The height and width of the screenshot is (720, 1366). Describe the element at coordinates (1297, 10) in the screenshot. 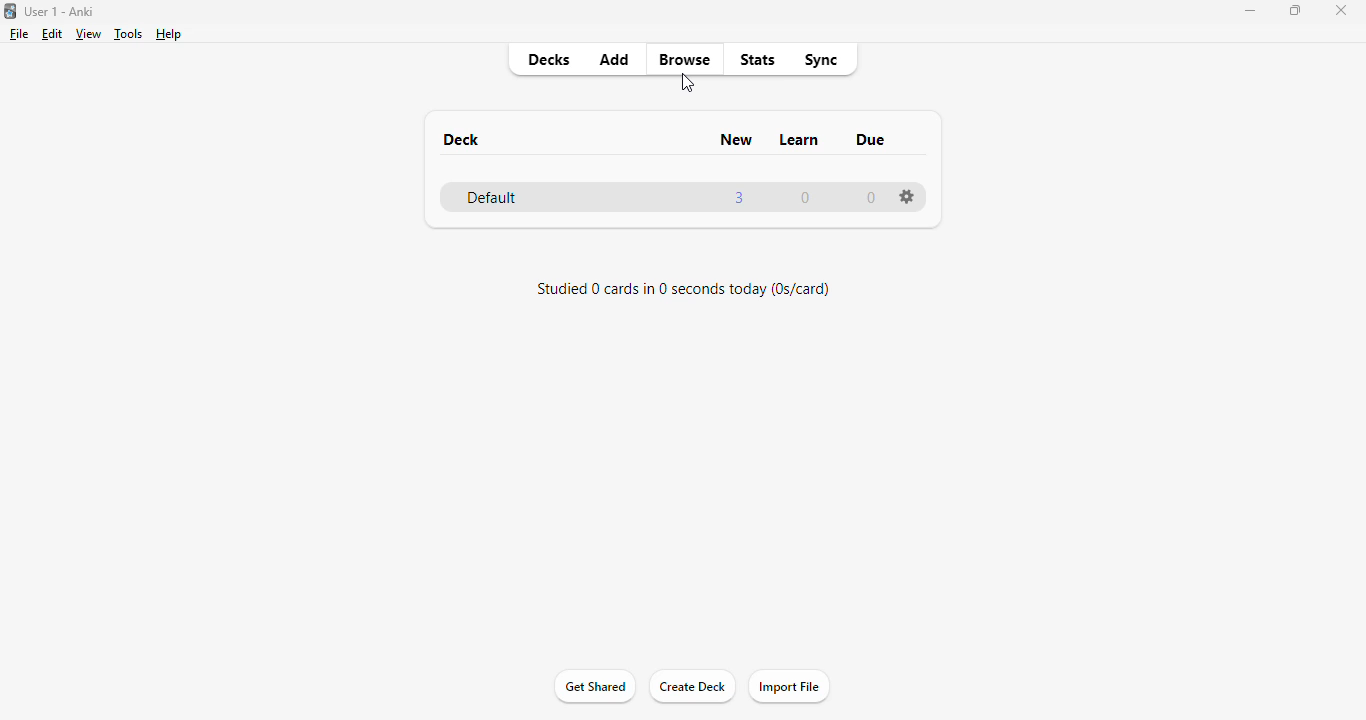

I see `maximize` at that location.